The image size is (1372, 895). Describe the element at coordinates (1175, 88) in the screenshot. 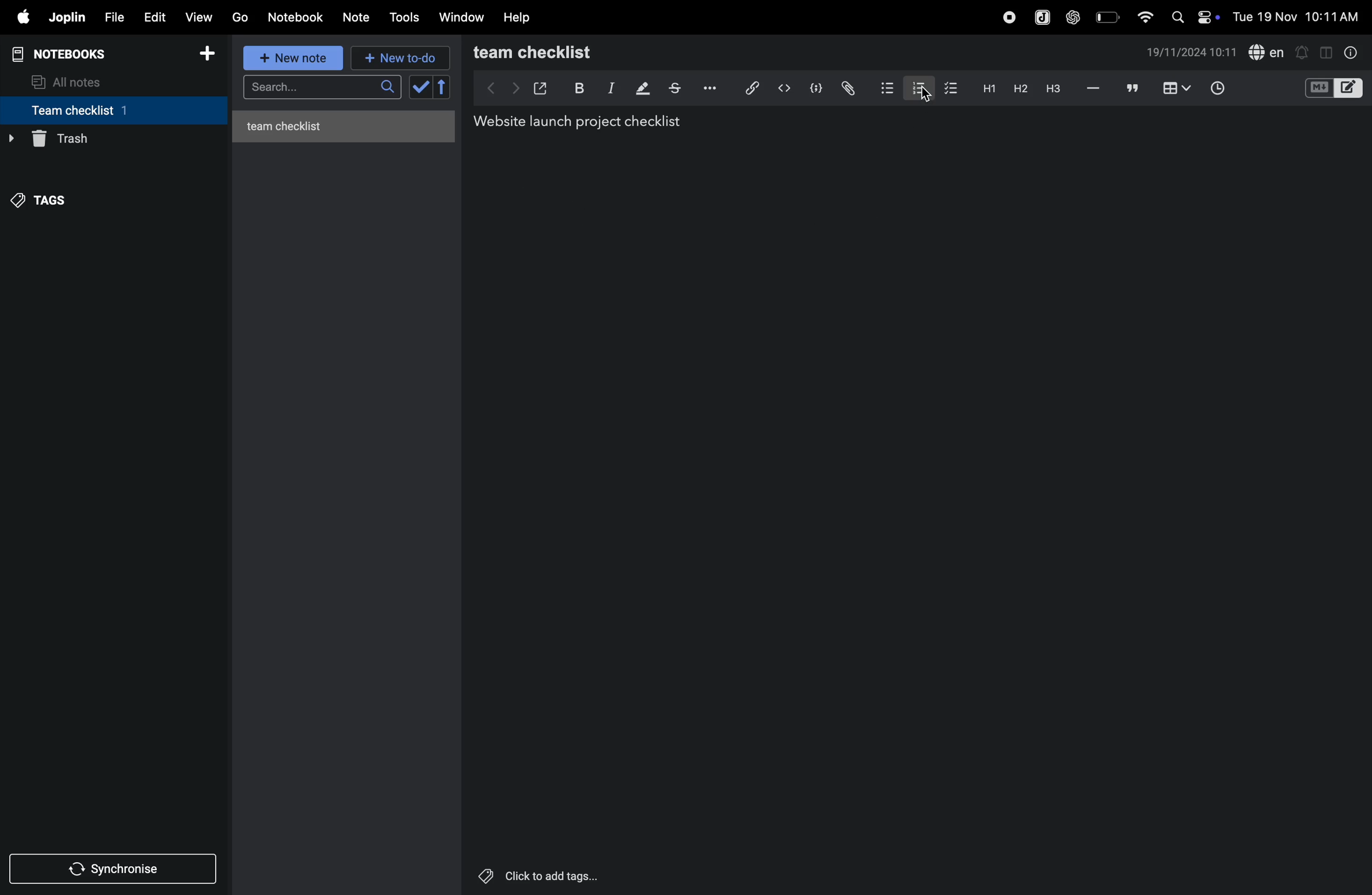

I see `table` at that location.